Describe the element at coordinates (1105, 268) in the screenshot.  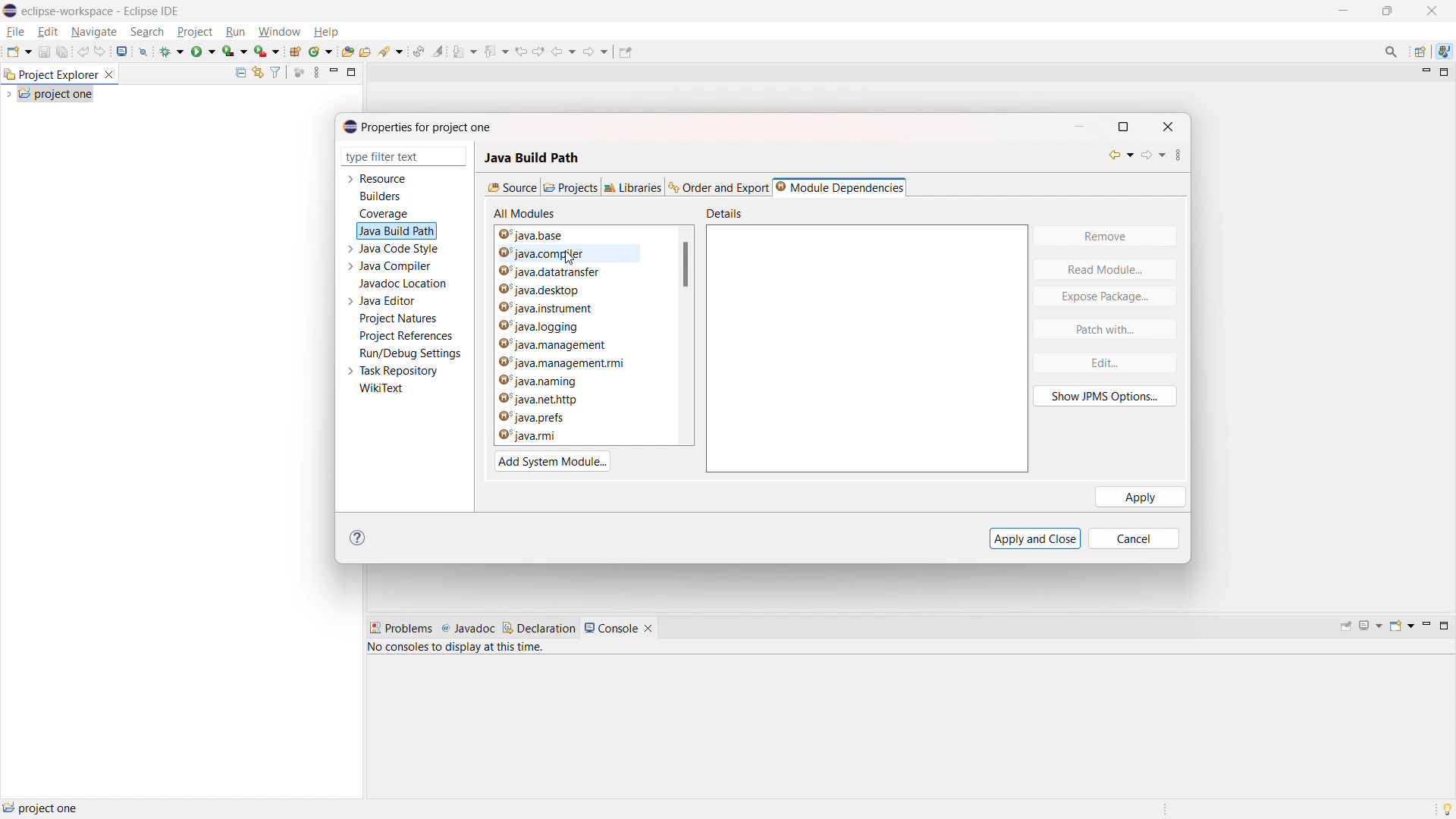
I see `read module` at that location.